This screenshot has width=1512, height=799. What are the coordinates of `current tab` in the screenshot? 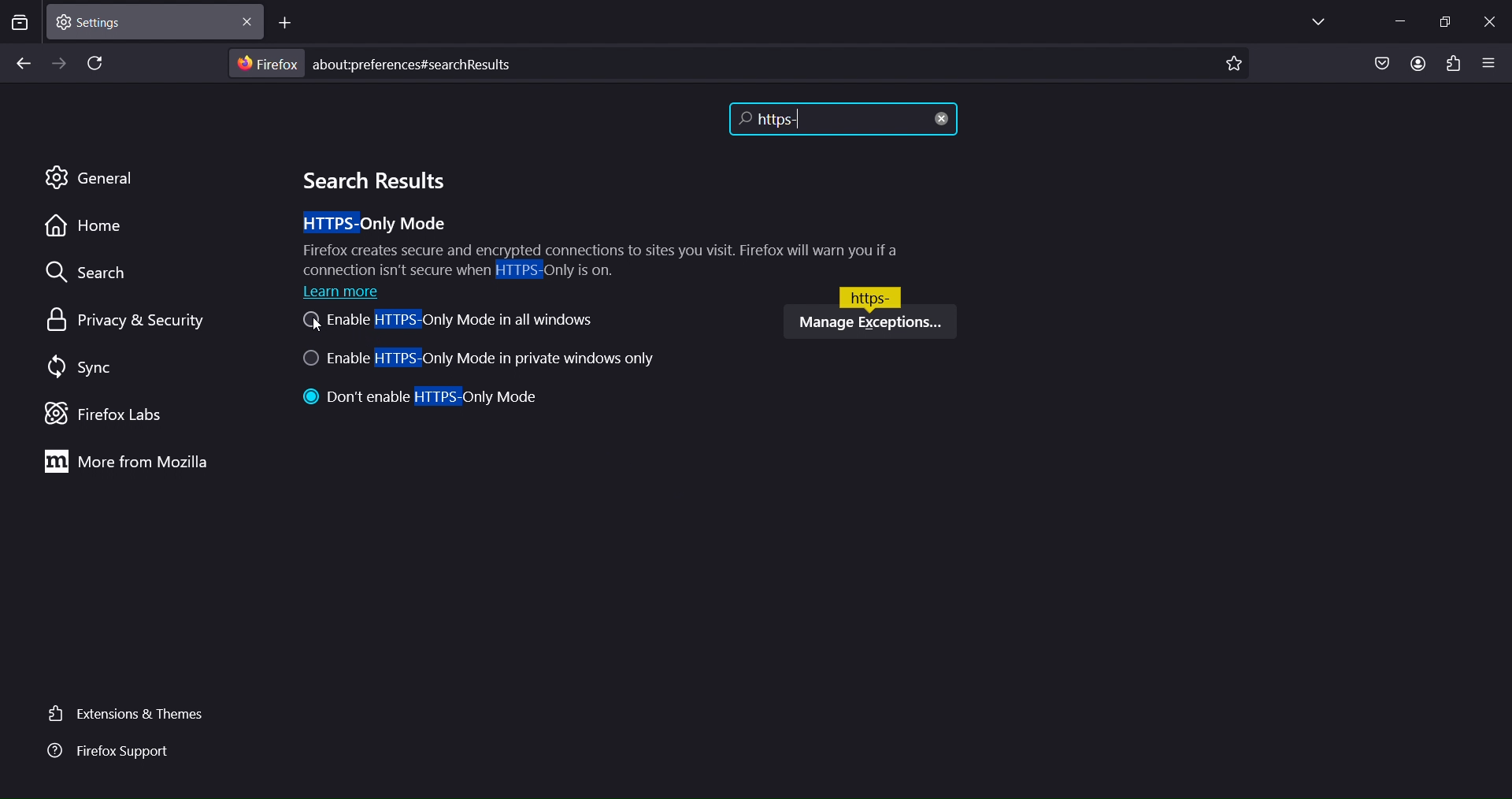 It's located at (152, 22).